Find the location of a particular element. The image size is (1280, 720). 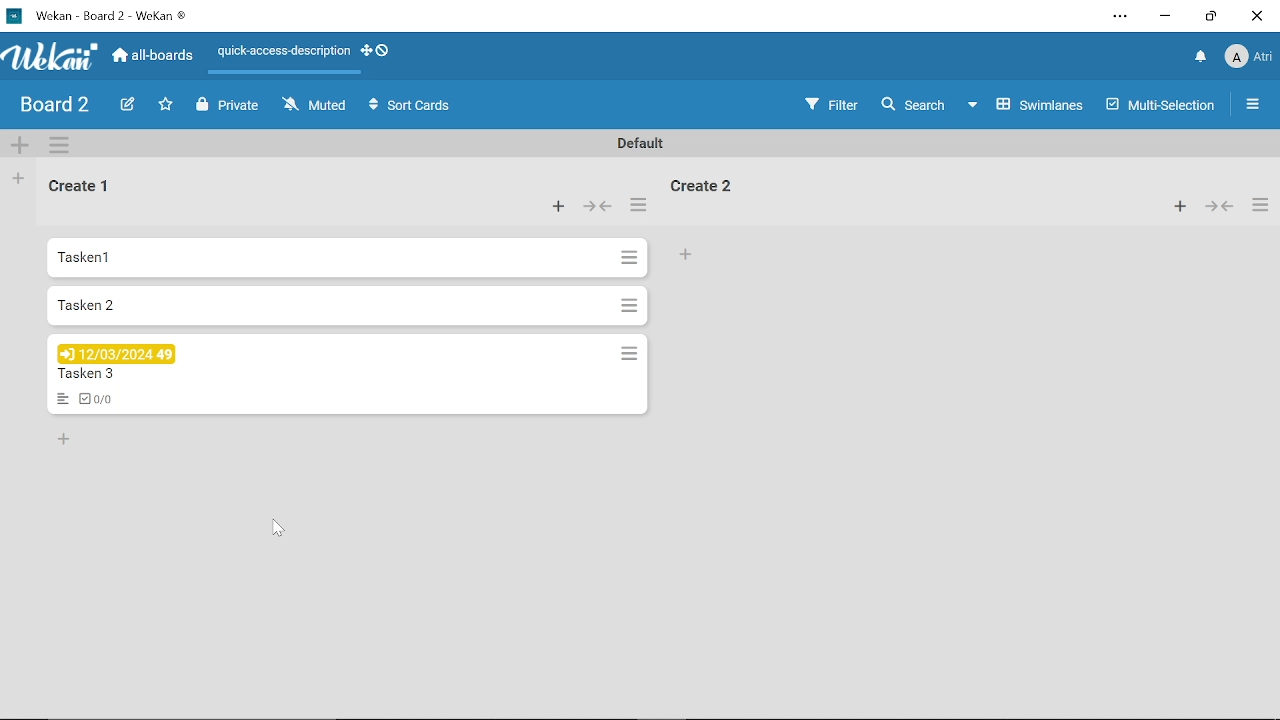

Close is located at coordinates (1258, 17).